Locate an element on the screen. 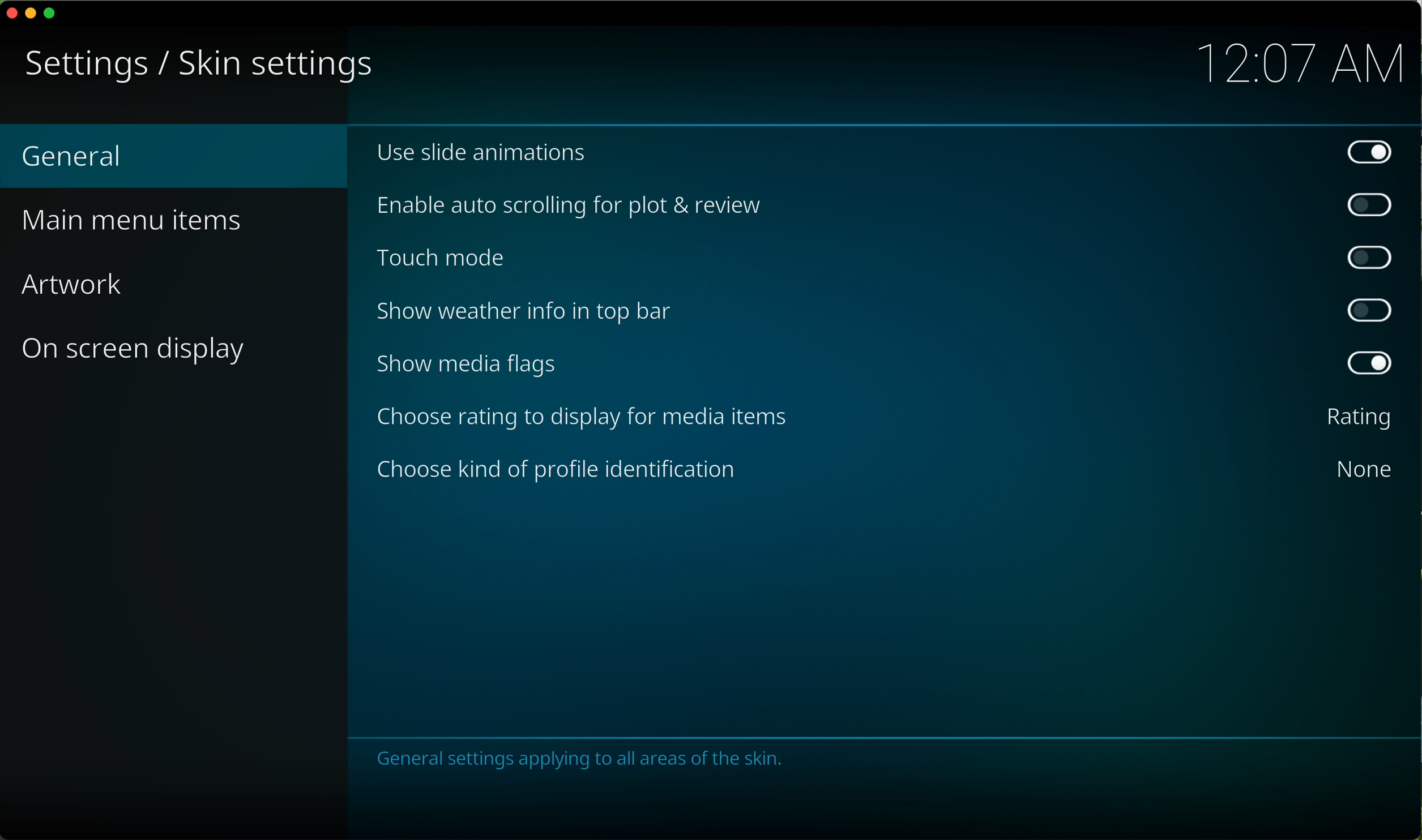  close program is located at coordinates (10, 15).